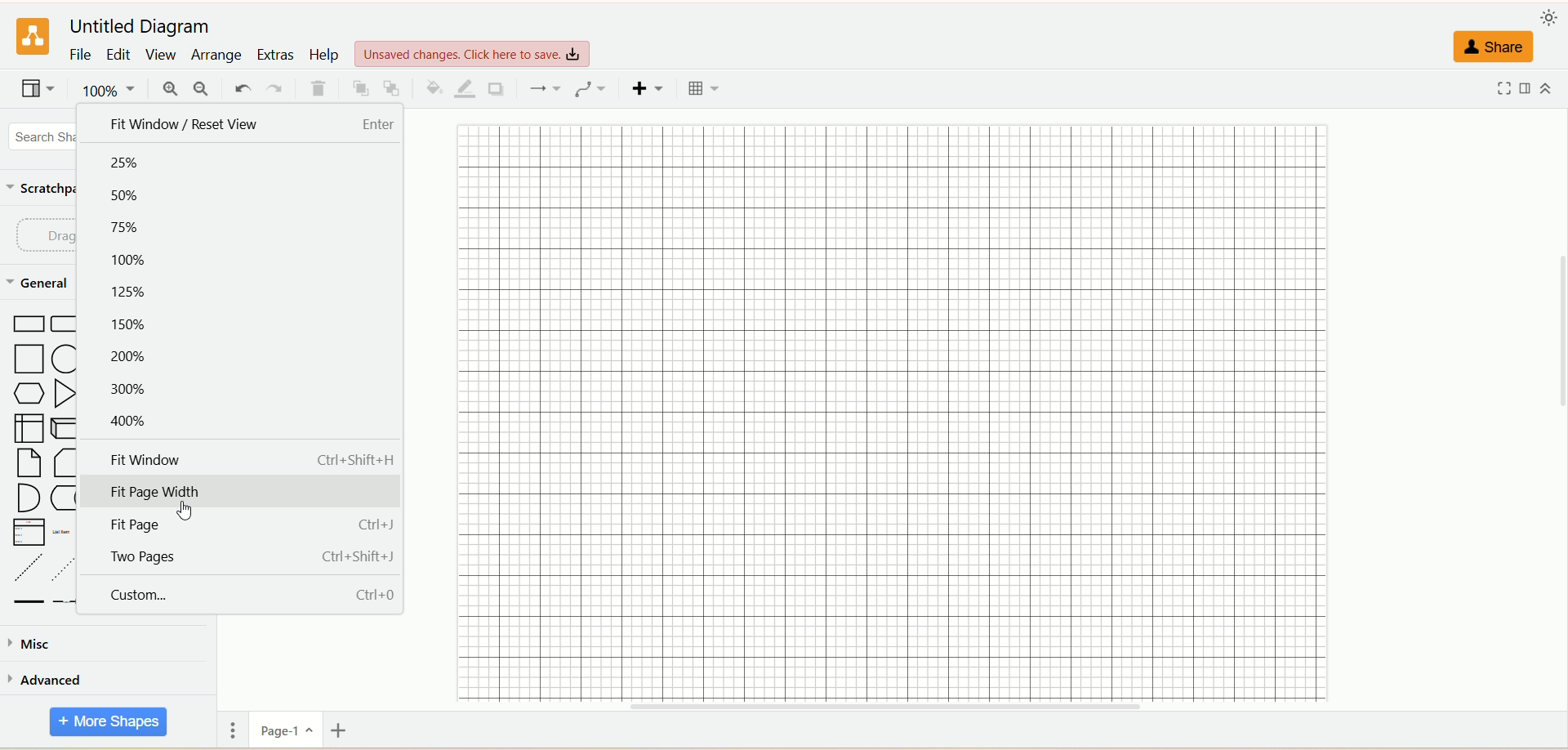  Describe the element at coordinates (25, 567) in the screenshot. I see `dashed line` at that location.